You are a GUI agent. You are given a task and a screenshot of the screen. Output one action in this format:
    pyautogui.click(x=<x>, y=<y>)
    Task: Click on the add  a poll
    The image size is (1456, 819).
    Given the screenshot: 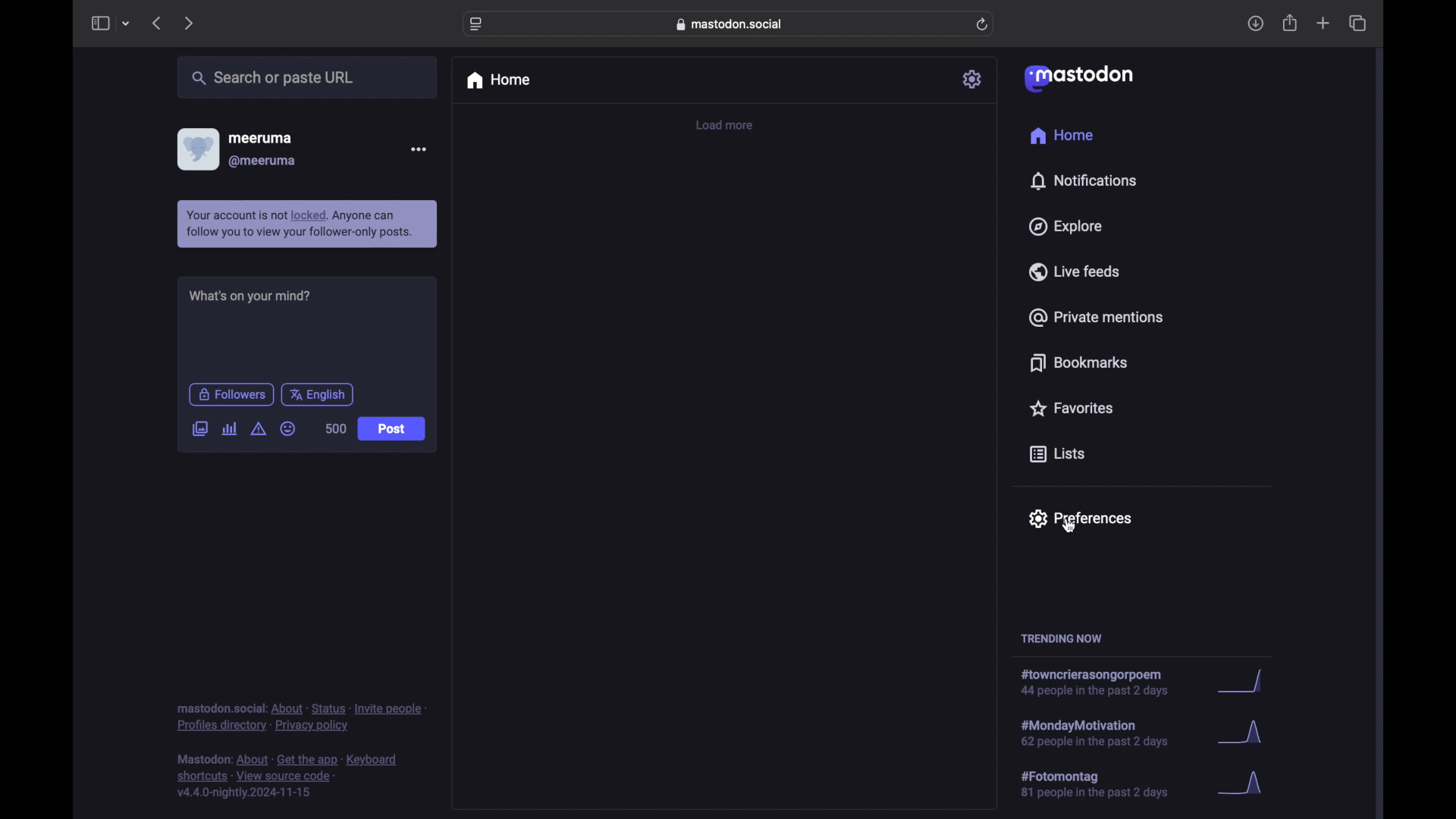 What is the action you would take?
    pyautogui.click(x=228, y=428)
    